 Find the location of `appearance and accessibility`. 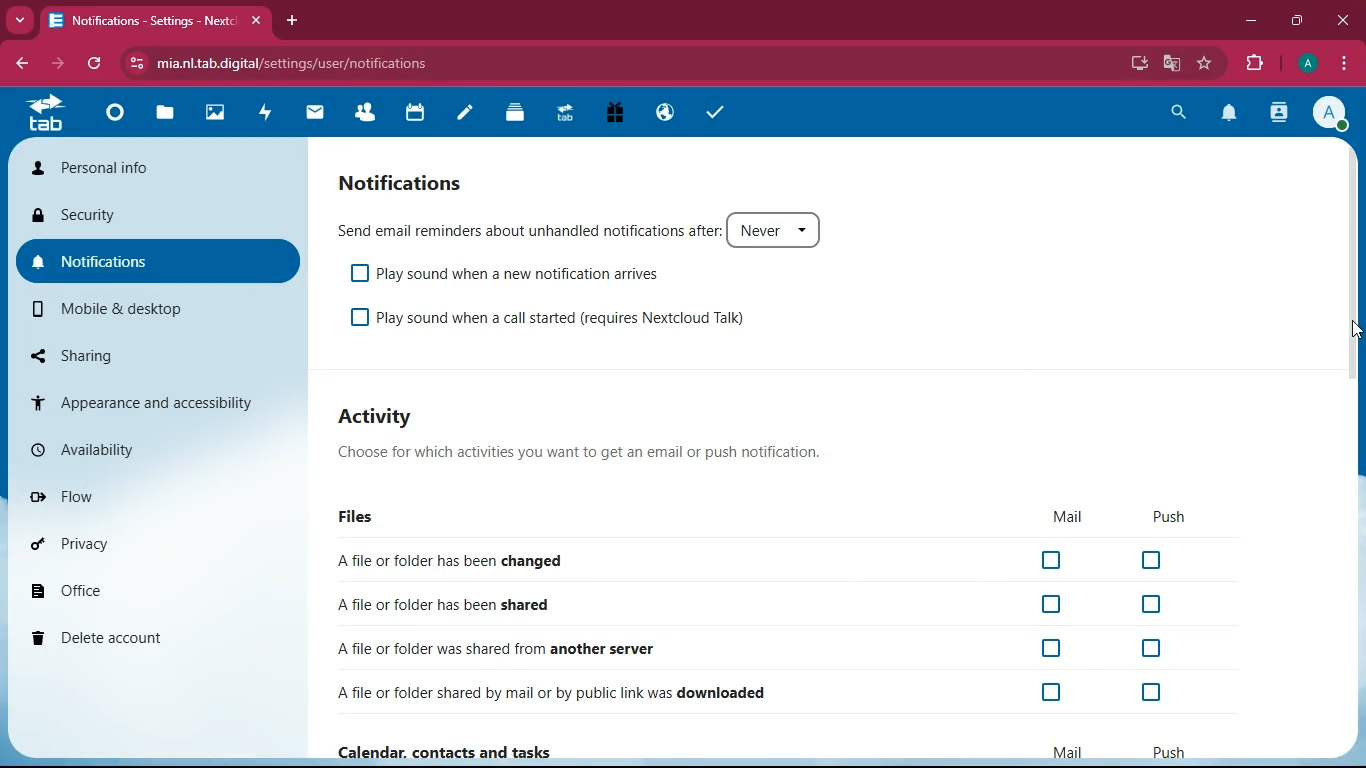

appearance and accessibility is located at coordinates (157, 401).